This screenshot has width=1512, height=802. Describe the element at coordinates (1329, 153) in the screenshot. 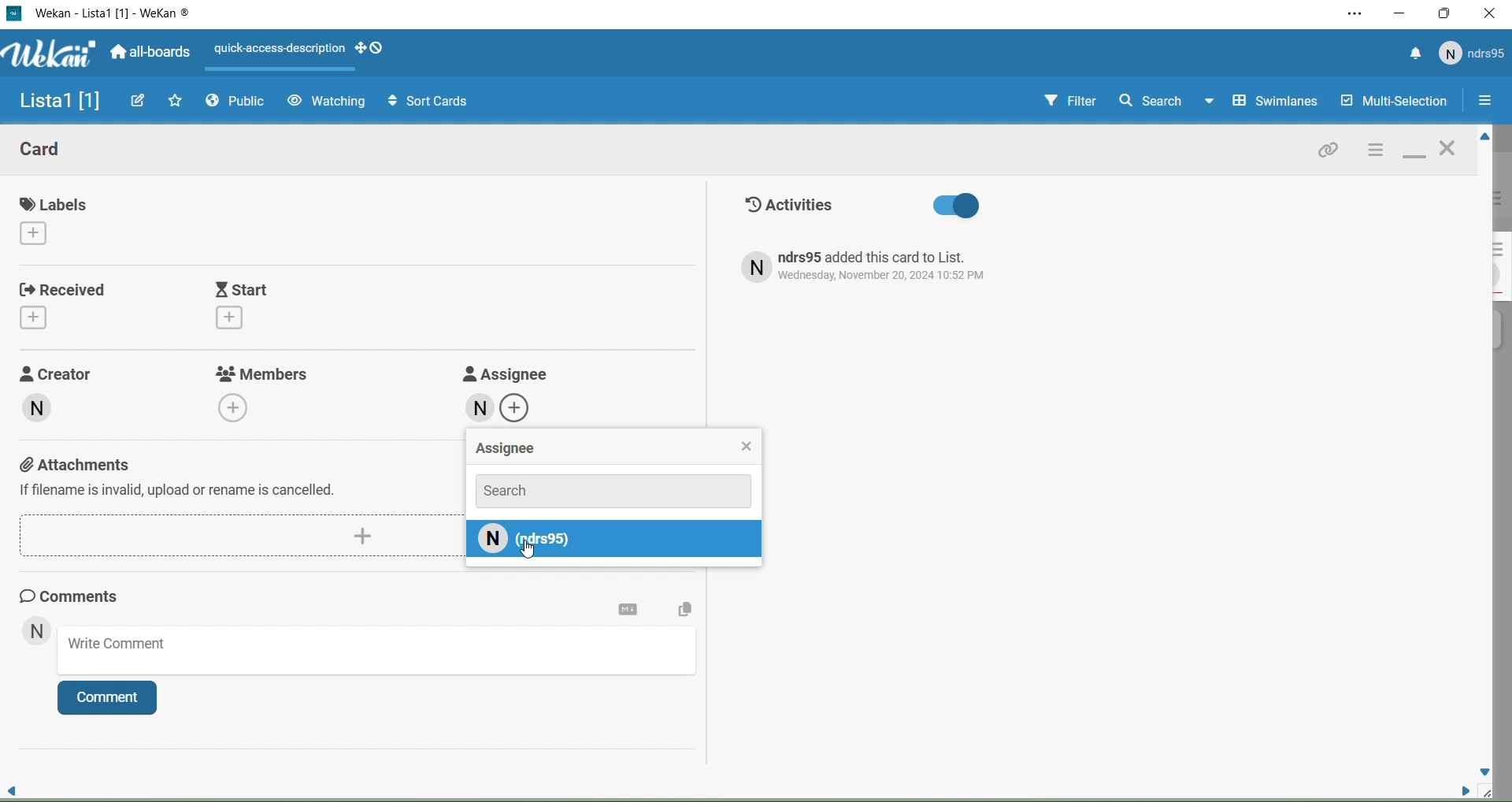

I see `attached` at that location.